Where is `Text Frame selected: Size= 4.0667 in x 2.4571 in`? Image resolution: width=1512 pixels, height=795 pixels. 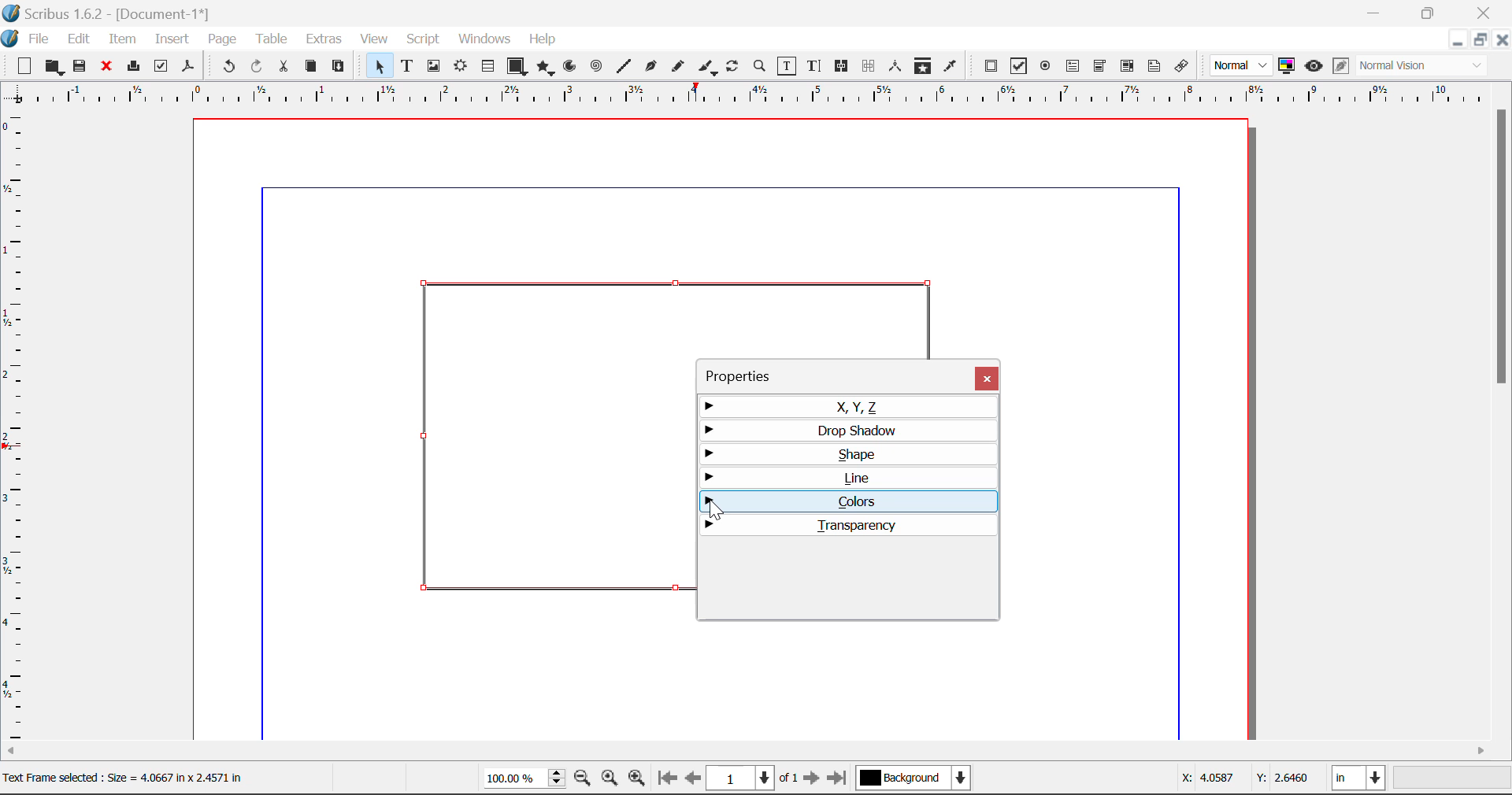
Text Frame selected: Size= 4.0667 in x 2.4571 in is located at coordinates (123, 776).